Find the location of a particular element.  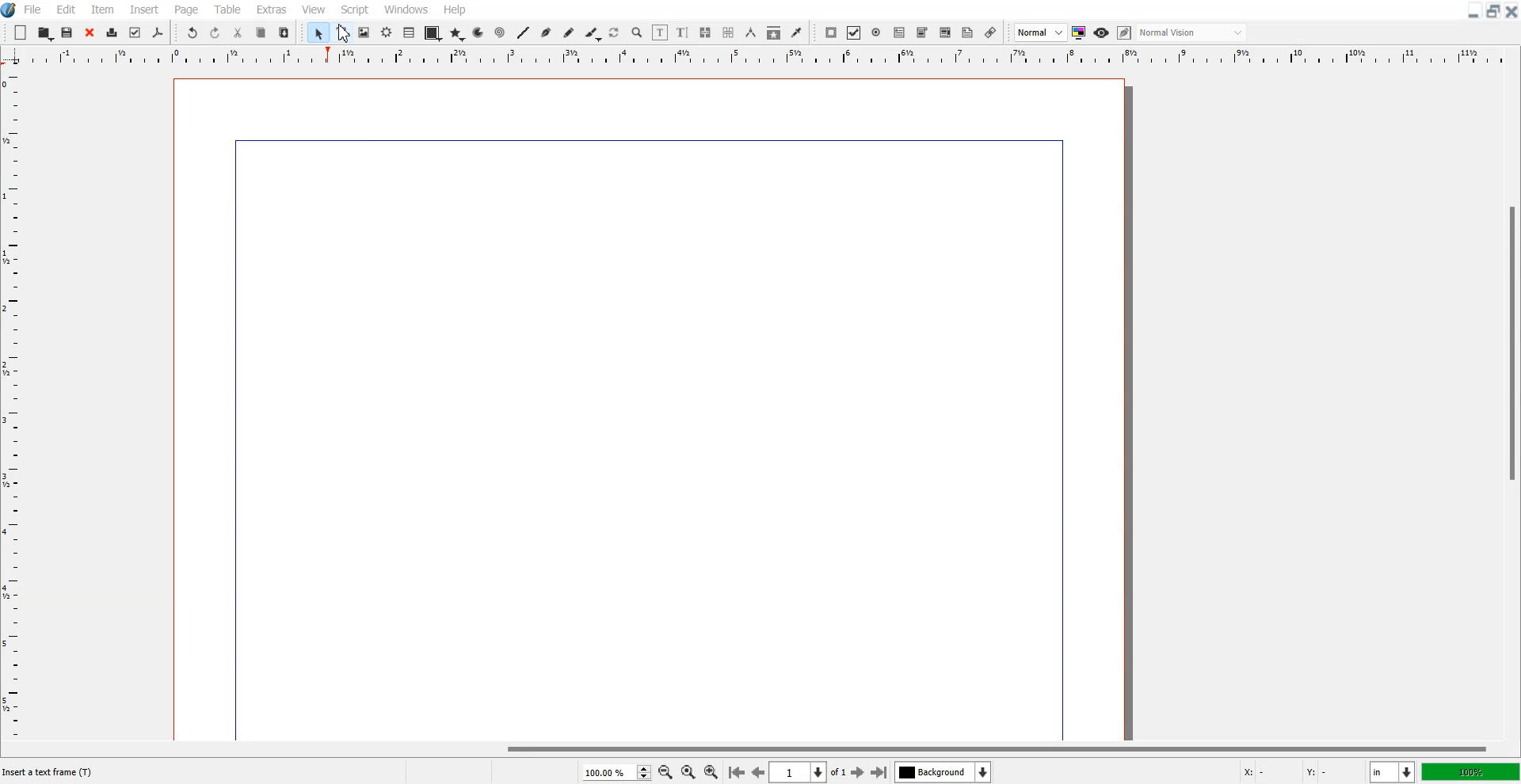

Text Frame is located at coordinates (342, 32).